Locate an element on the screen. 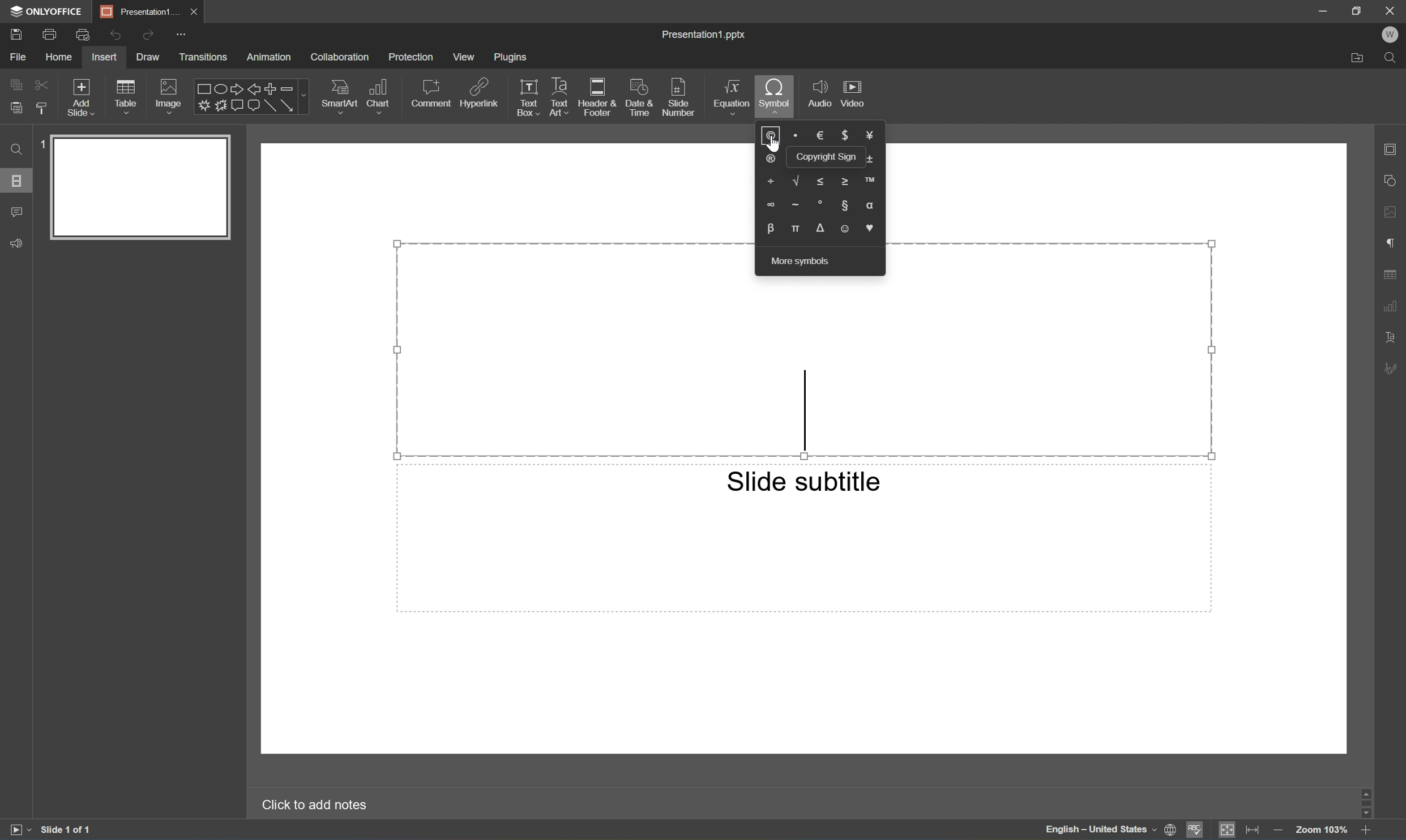 This screenshot has width=1406, height=840. Table is located at coordinates (126, 97).